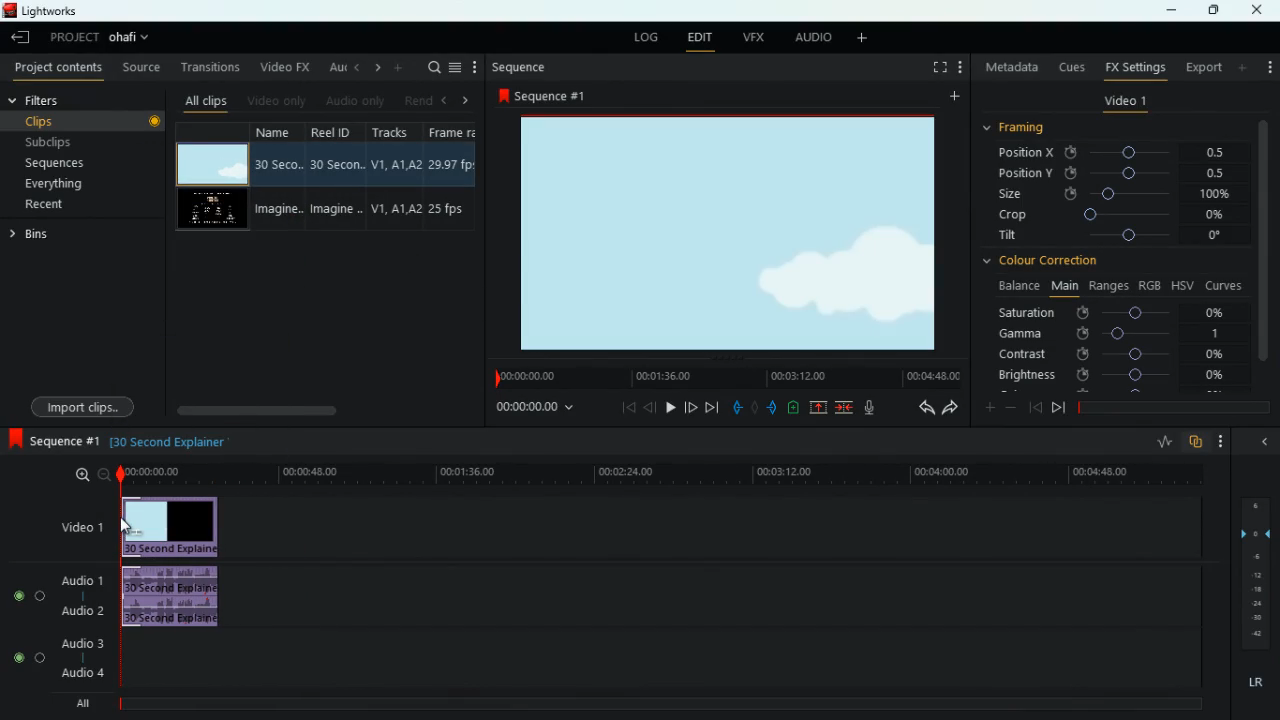  What do you see at coordinates (990, 406) in the screenshot?
I see `more` at bounding box center [990, 406].